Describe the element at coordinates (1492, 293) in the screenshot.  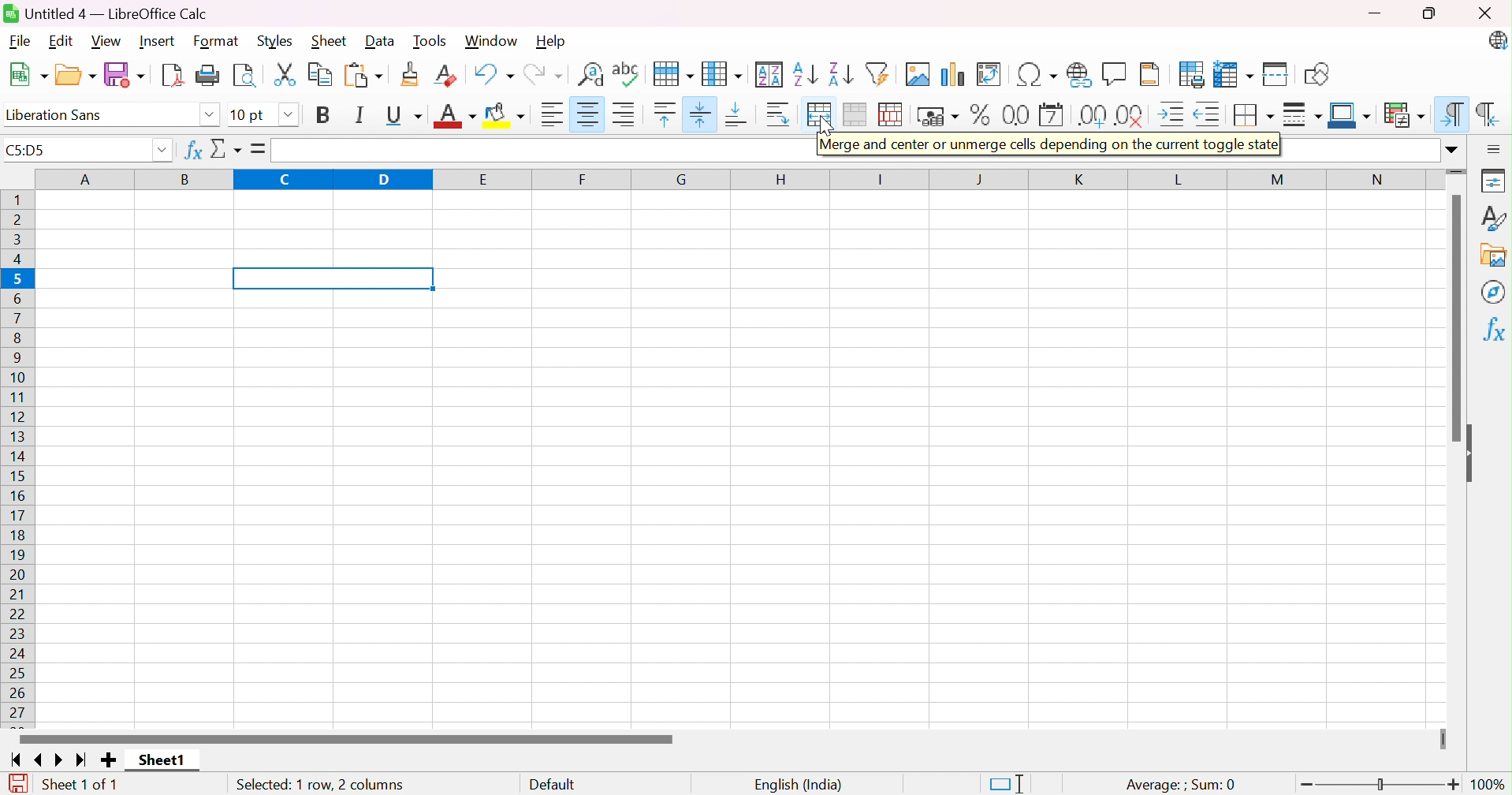
I see `Navigator` at that location.